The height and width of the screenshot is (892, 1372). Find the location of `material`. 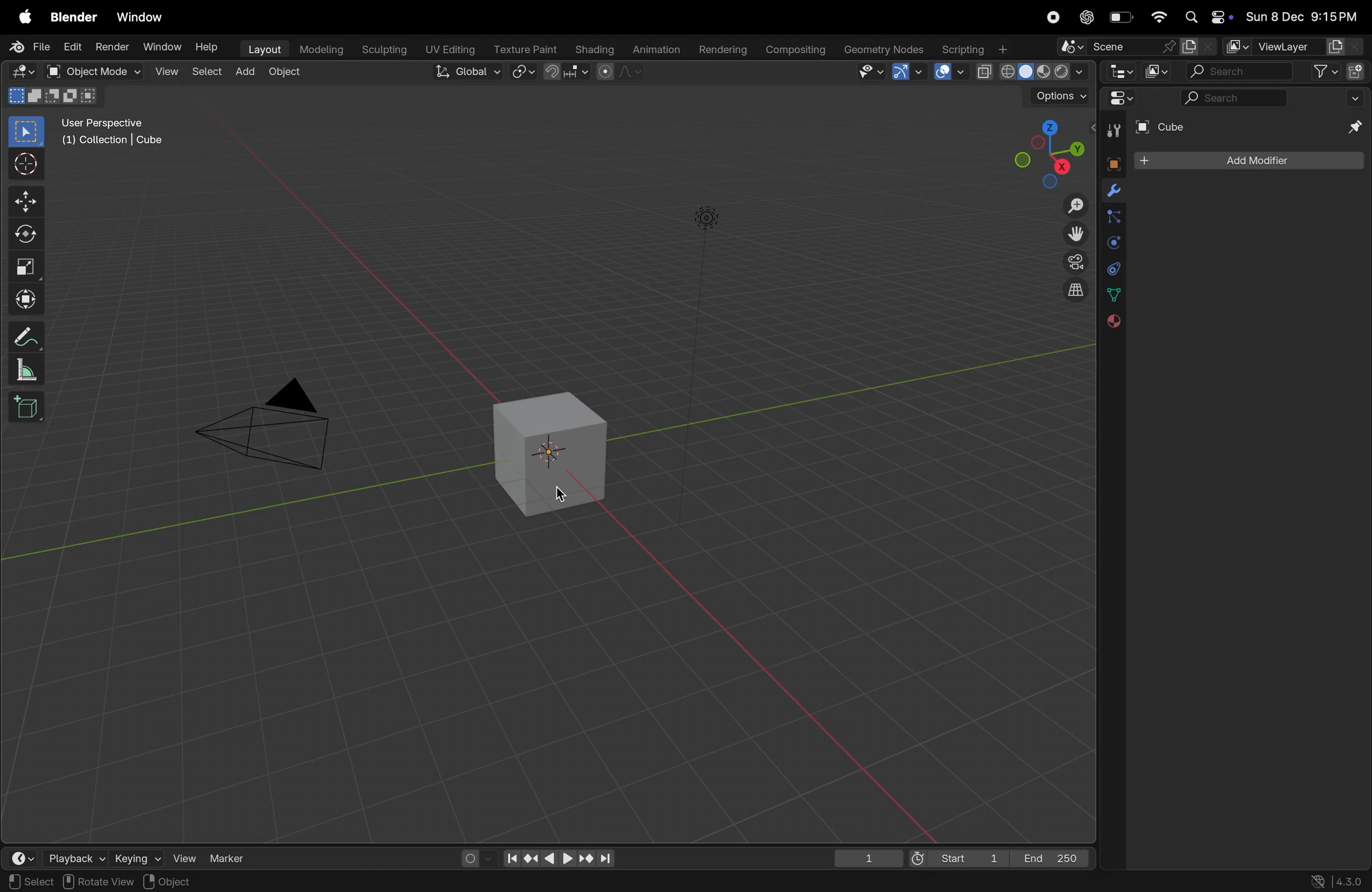

material is located at coordinates (1111, 322).